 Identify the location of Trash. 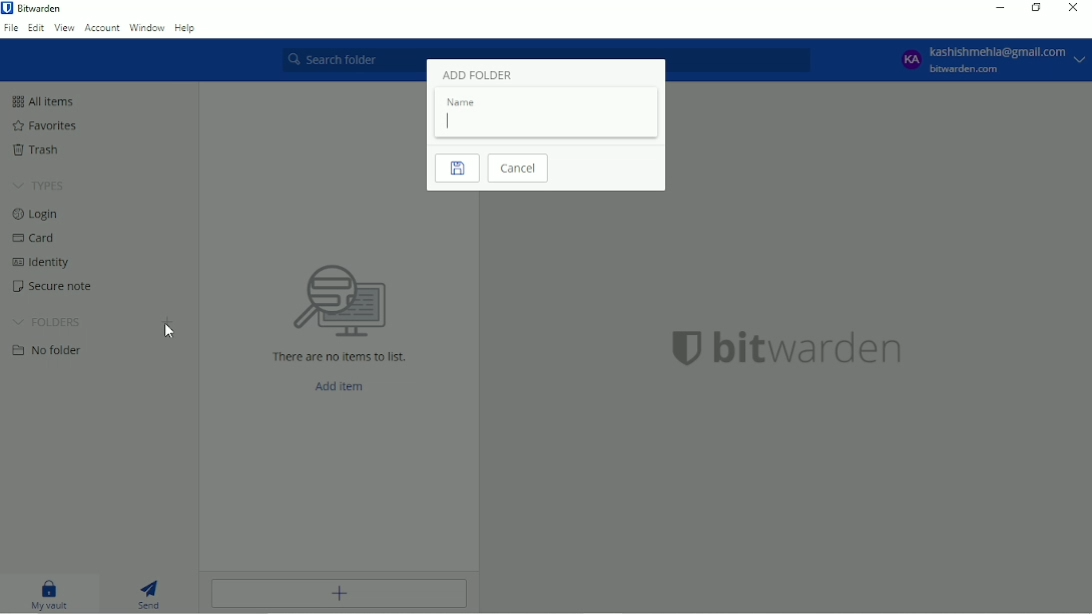
(36, 150).